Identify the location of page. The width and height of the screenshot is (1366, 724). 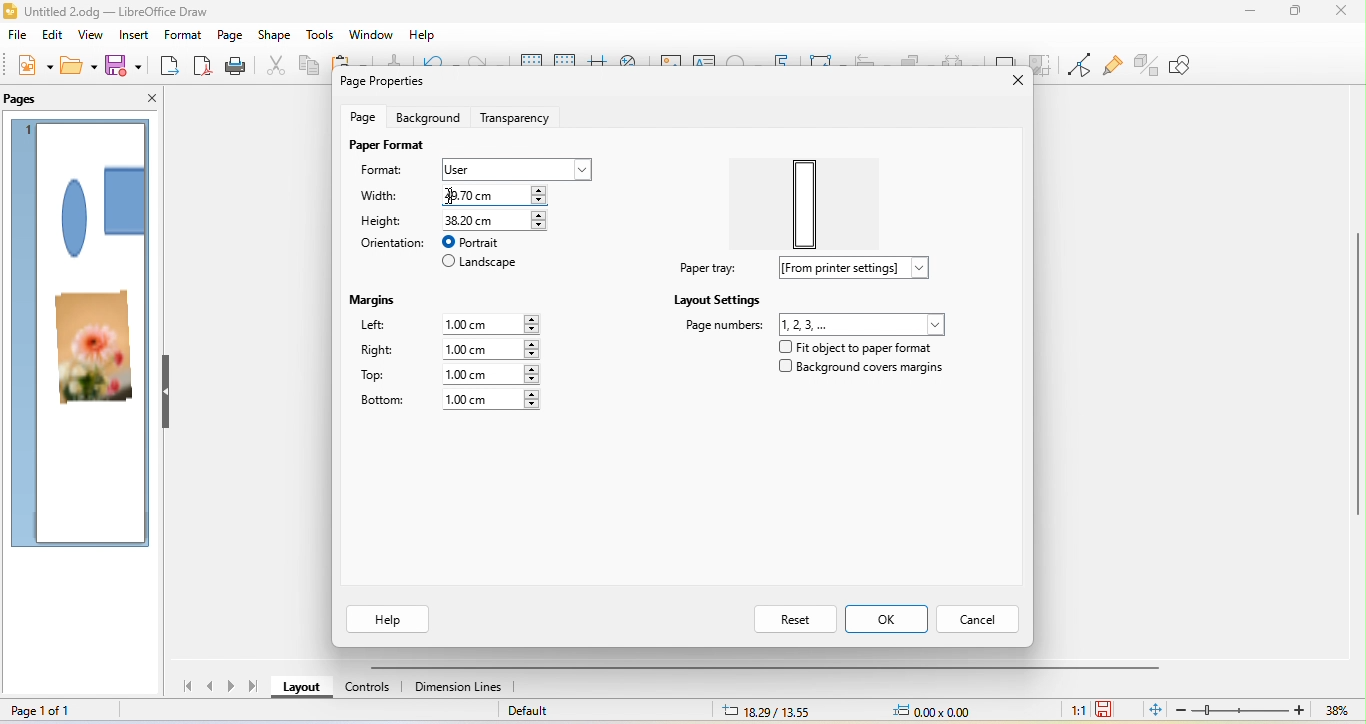
(366, 117).